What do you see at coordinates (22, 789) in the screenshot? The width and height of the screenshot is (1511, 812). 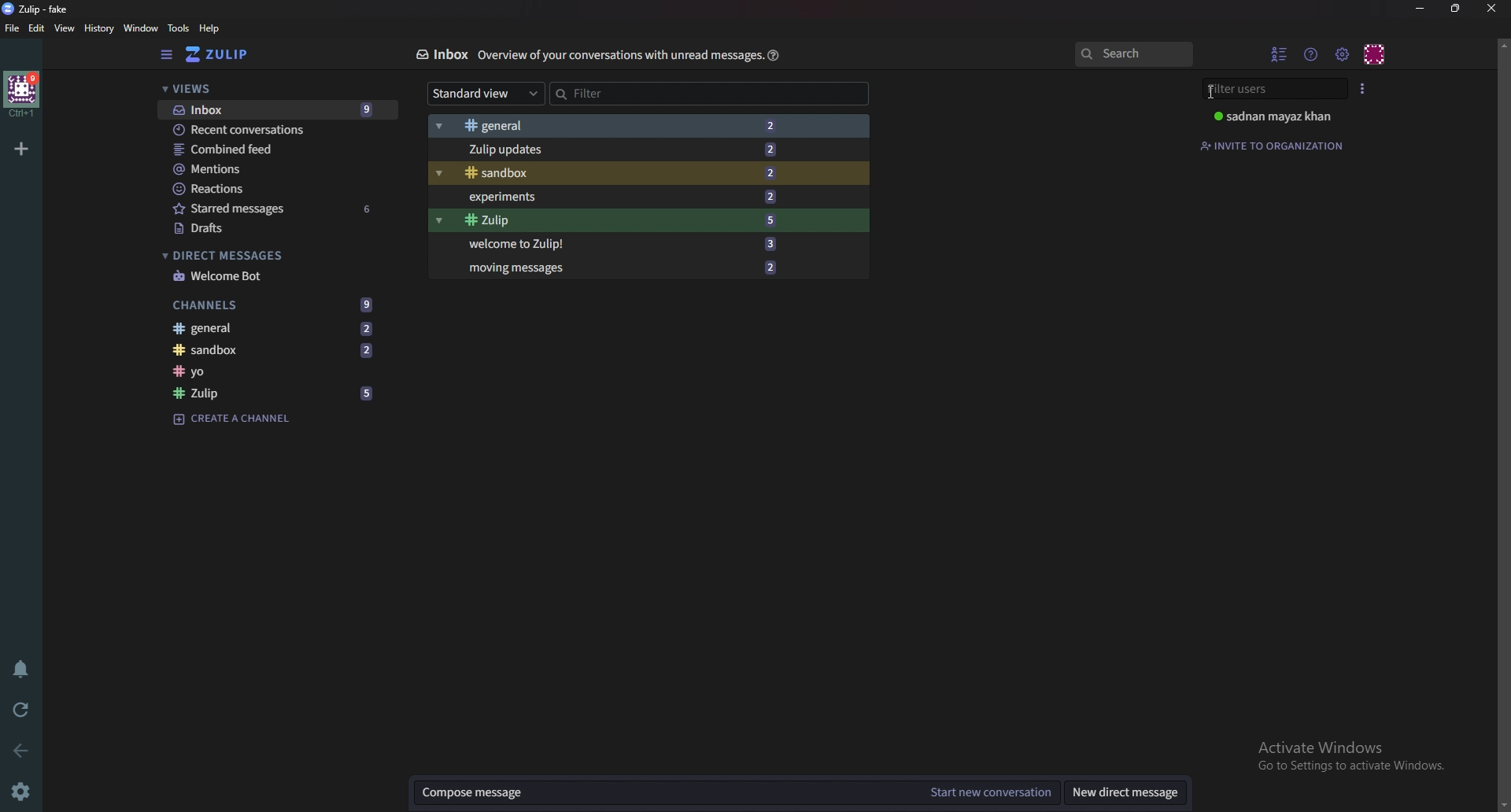 I see `Settings` at bounding box center [22, 789].